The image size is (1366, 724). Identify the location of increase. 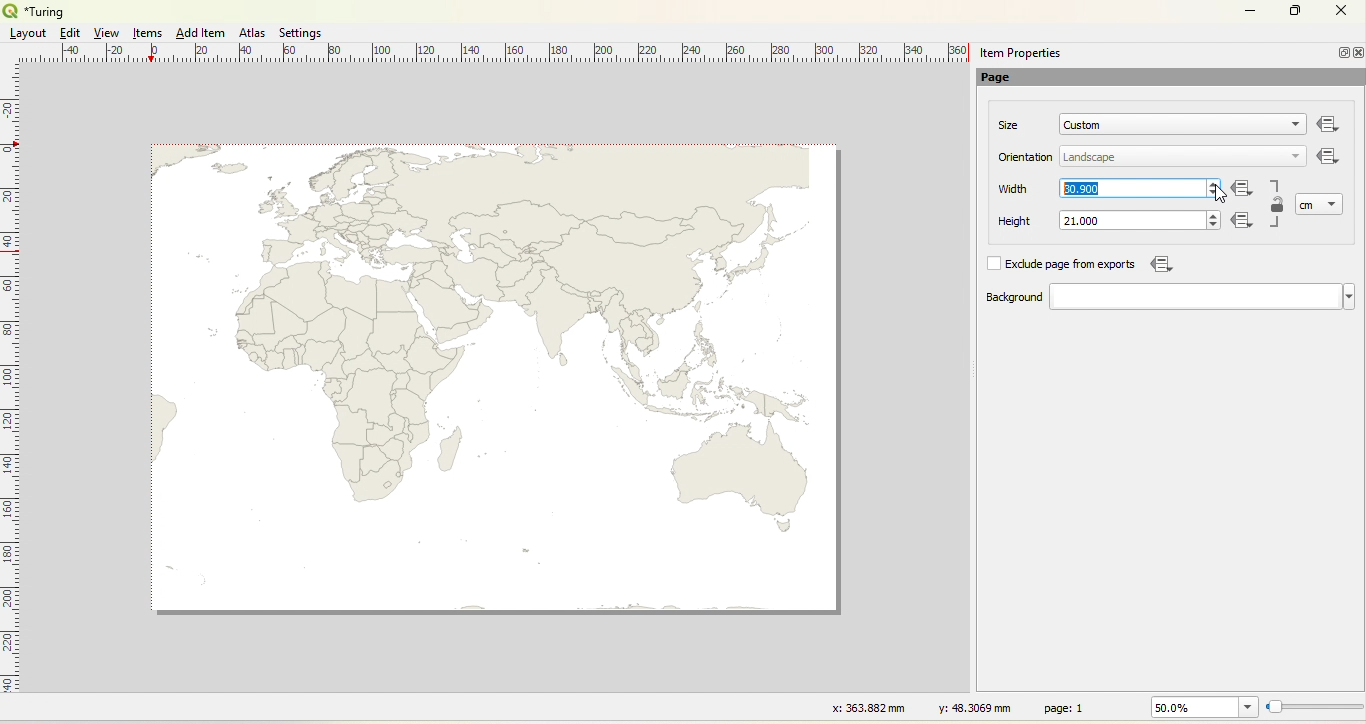
(1211, 214).